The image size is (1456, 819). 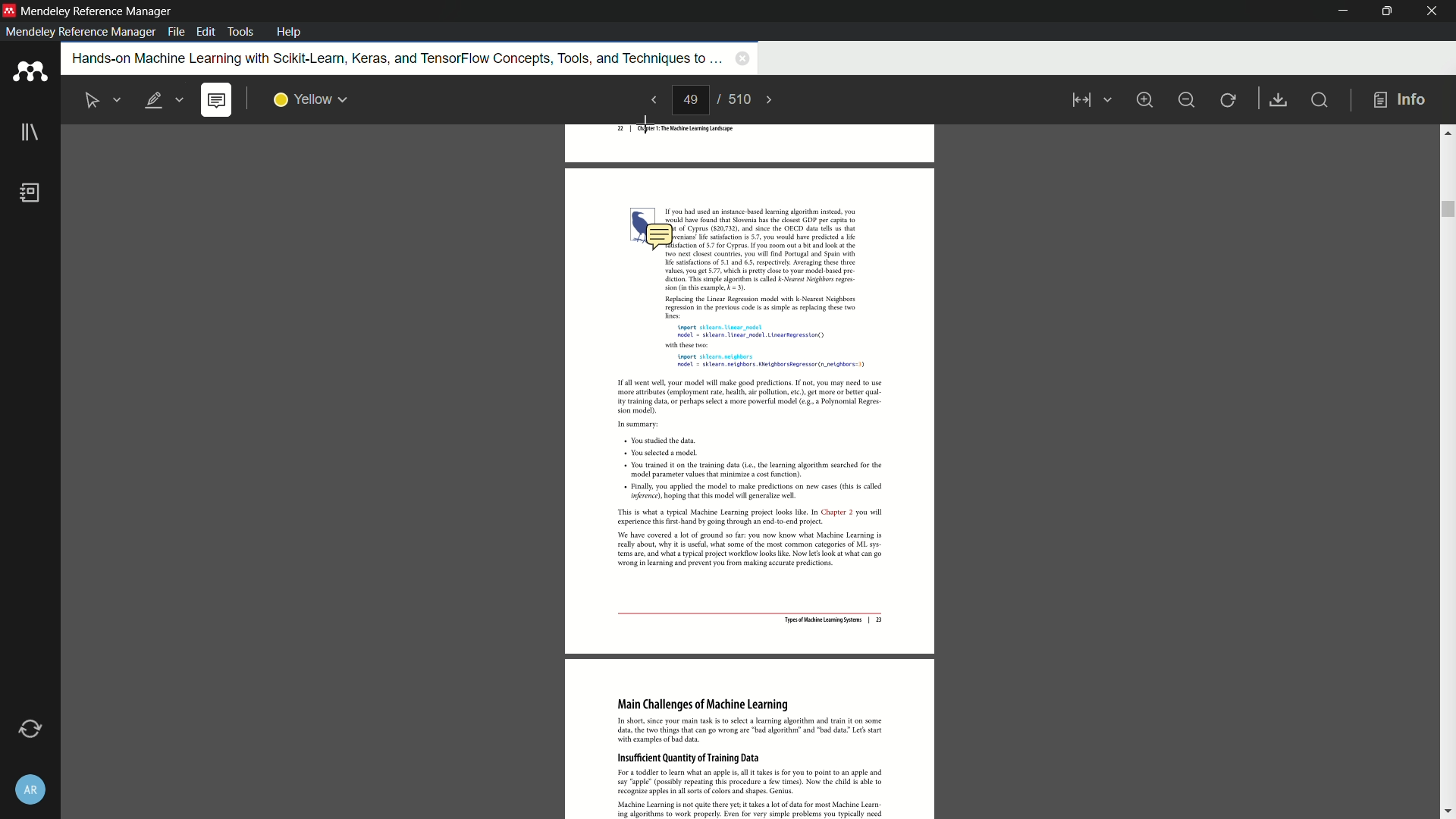 I want to click on current page, so click(x=692, y=101).